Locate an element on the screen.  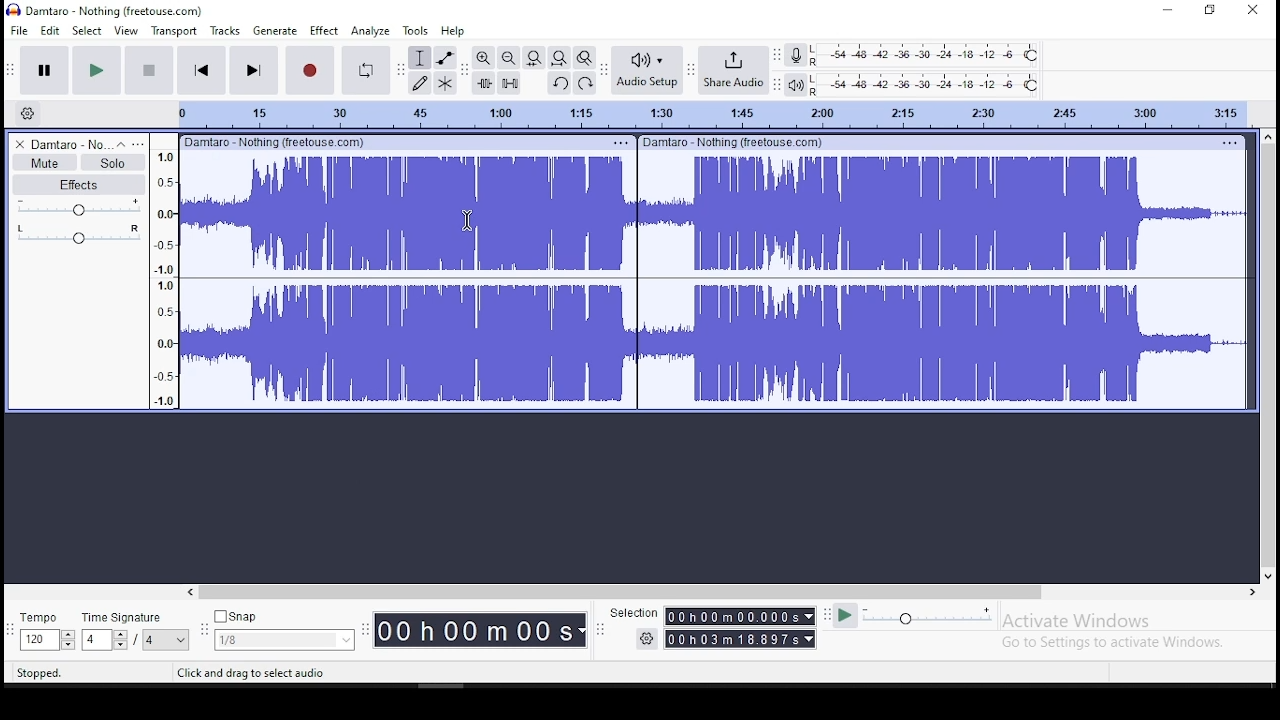
enable looping is located at coordinates (364, 71).